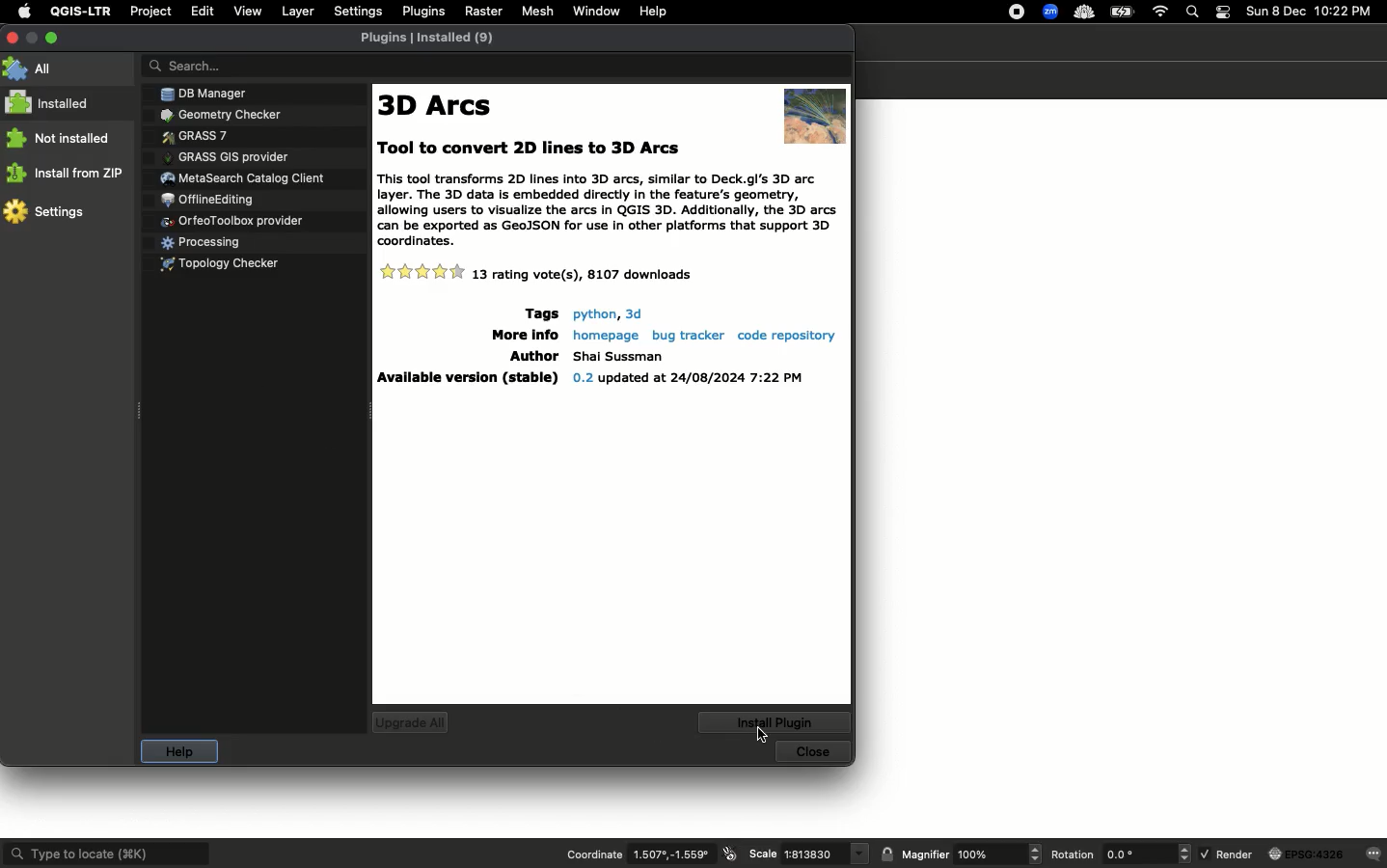 The height and width of the screenshot is (868, 1387). Describe the element at coordinates (604, 334) in the screenshot. I see `homepage` at that location.